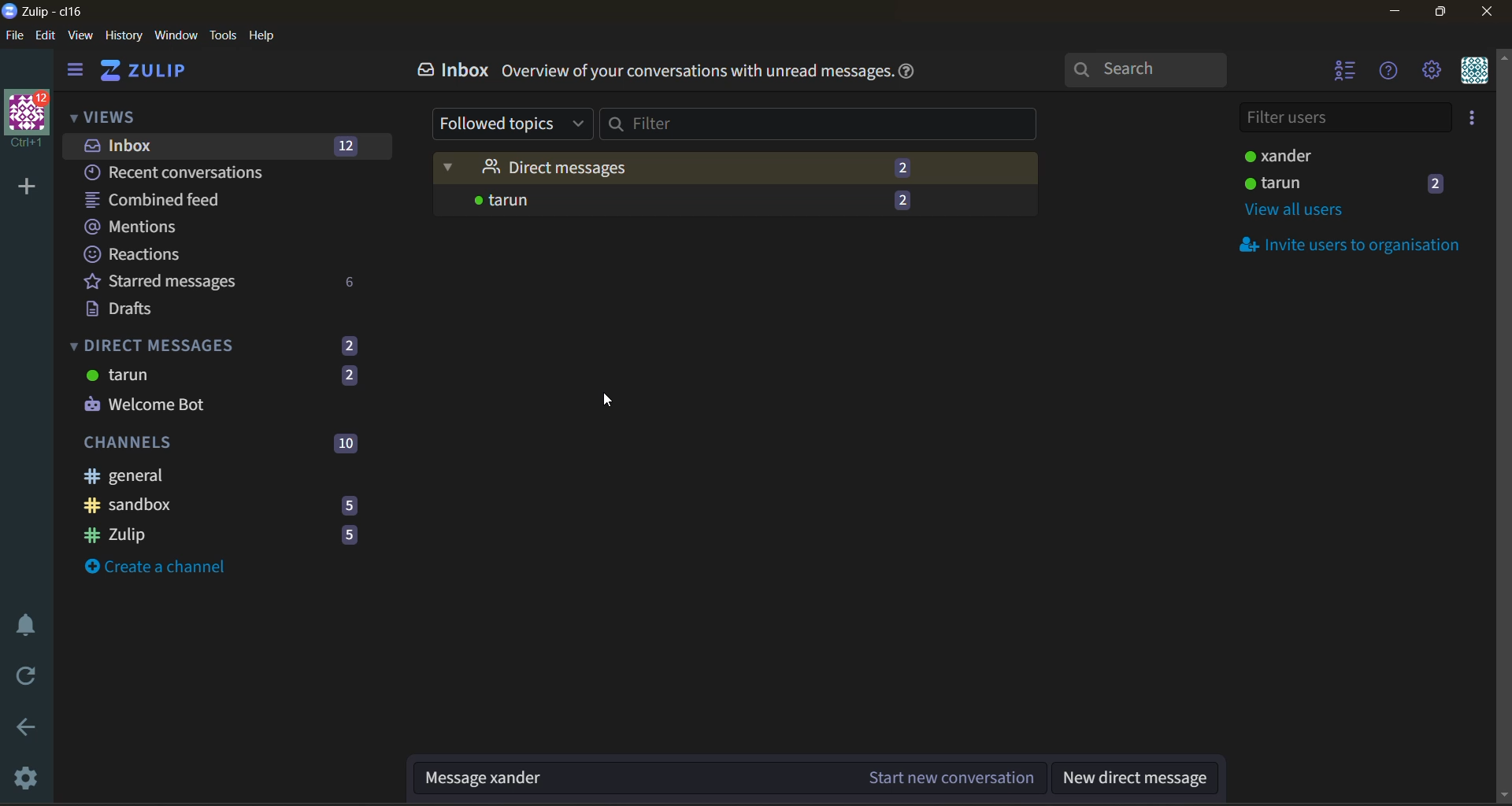  I want to click on tools, so click(224, 37).